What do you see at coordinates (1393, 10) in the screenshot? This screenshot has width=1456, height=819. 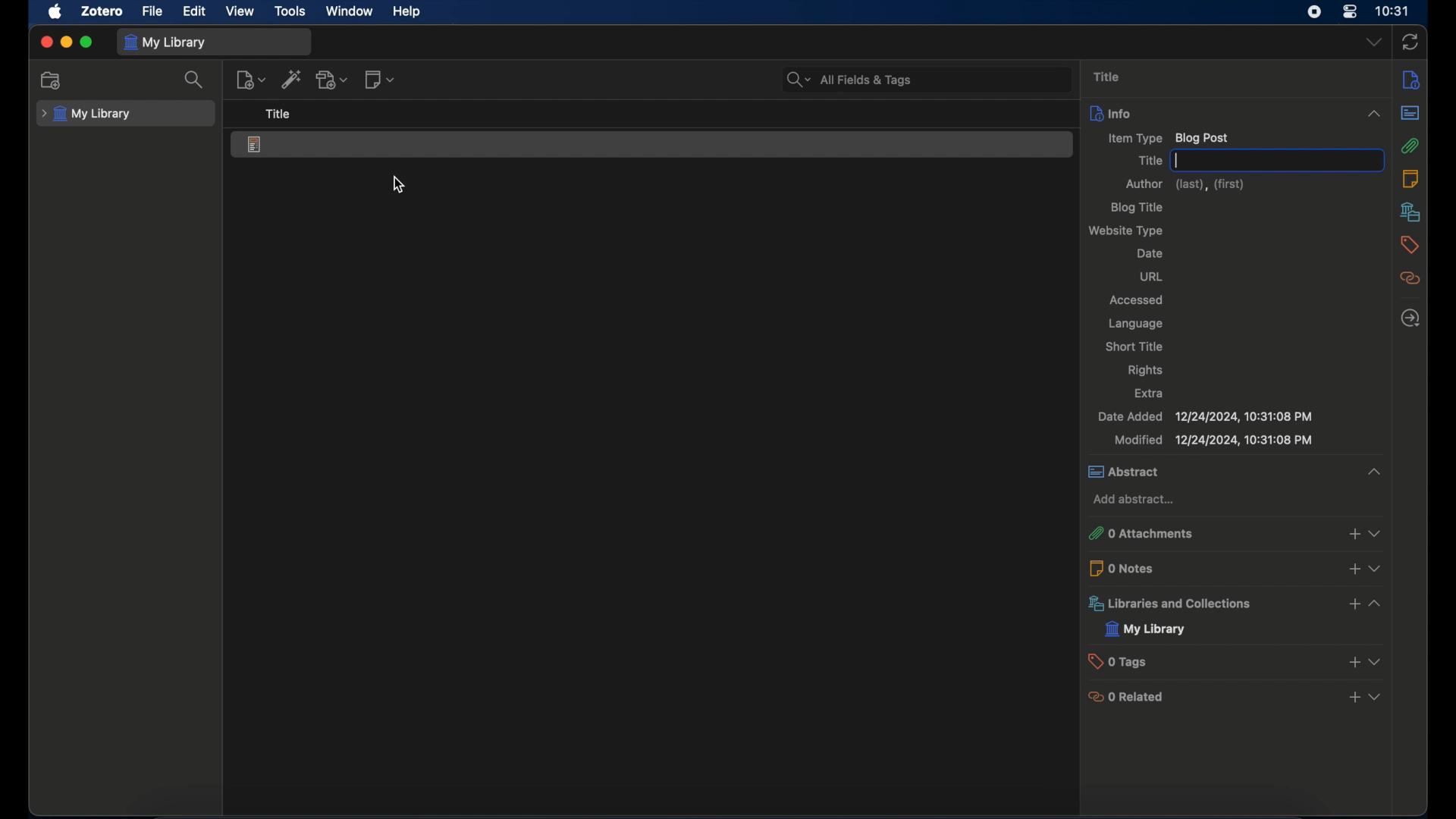 I see `time` at bounding box center [1393, 10].